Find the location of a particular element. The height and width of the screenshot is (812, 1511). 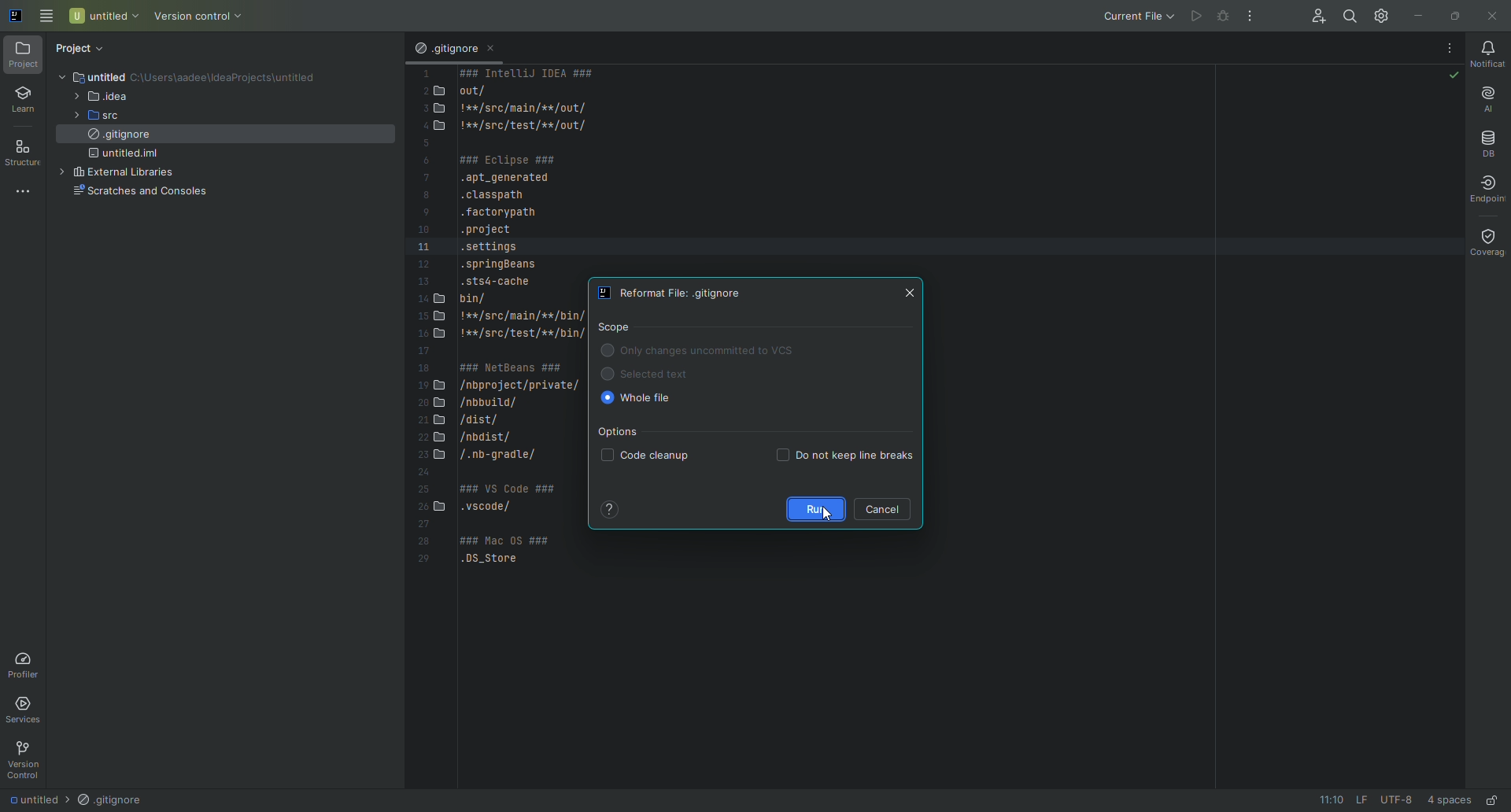

Main Menu is located at coordinates (47, 17).